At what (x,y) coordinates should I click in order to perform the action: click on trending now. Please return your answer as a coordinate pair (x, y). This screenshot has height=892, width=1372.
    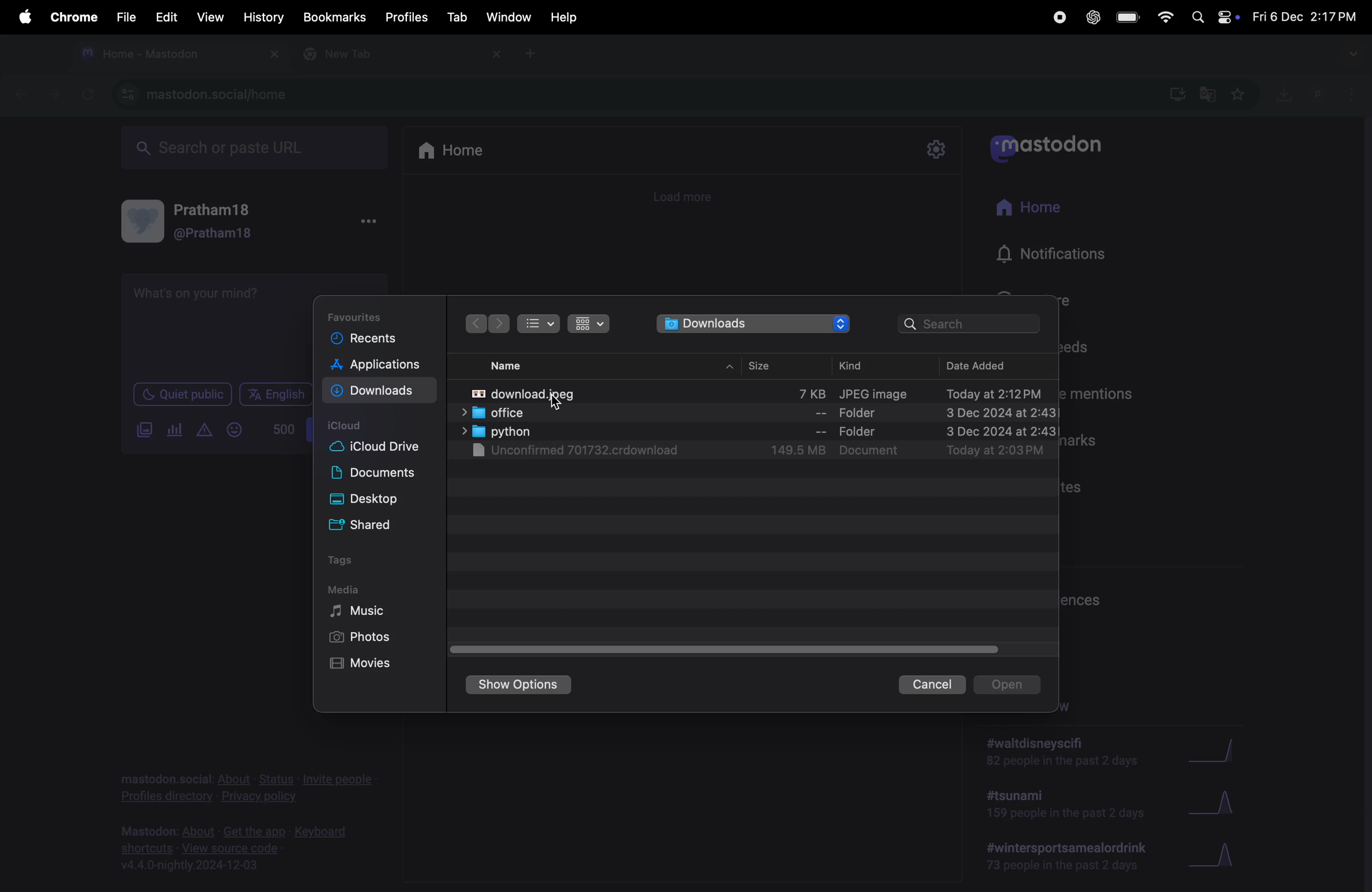
    Looking at the image, I should click on (1030, 707).